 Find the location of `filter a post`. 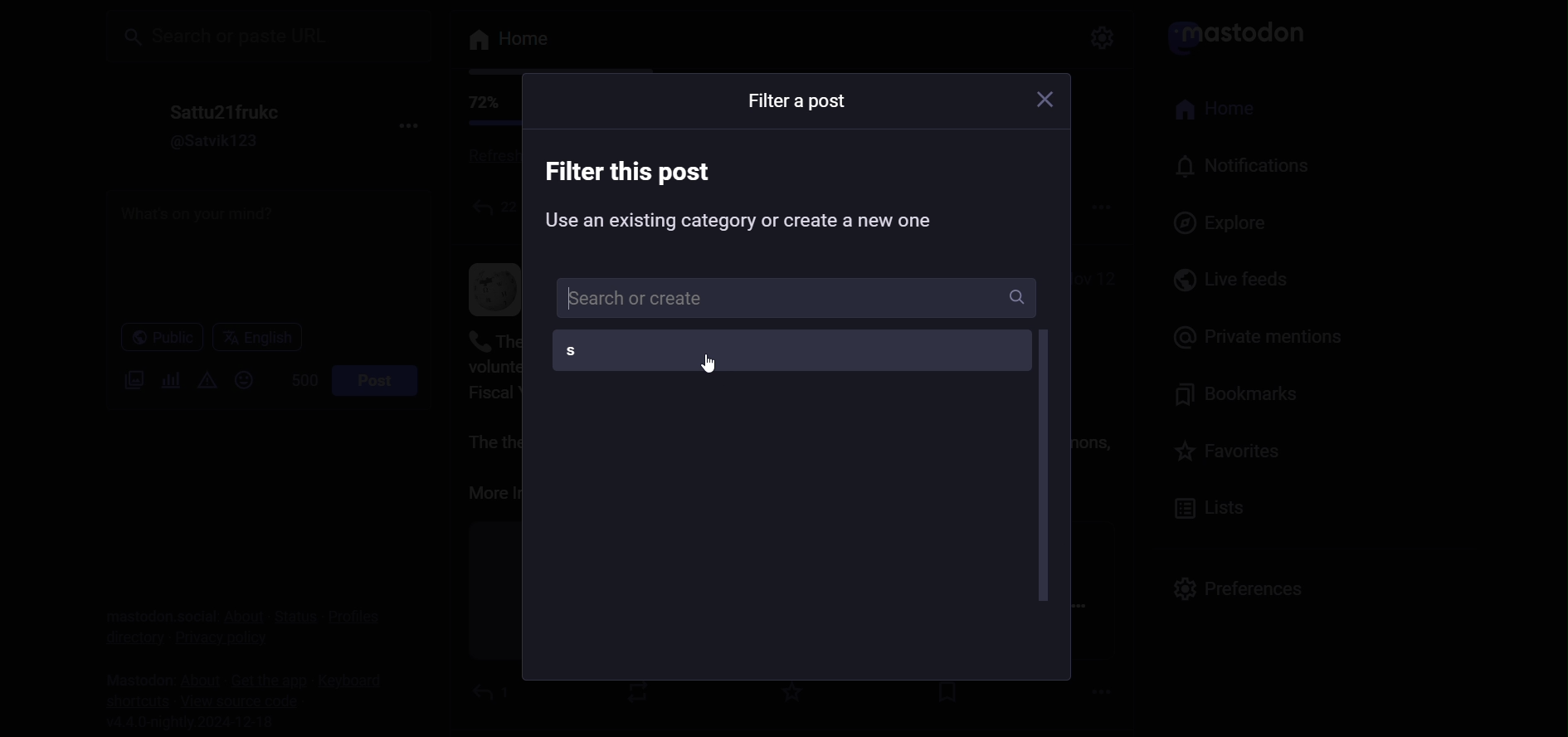

filter a post is located at coordinates (796, 101).